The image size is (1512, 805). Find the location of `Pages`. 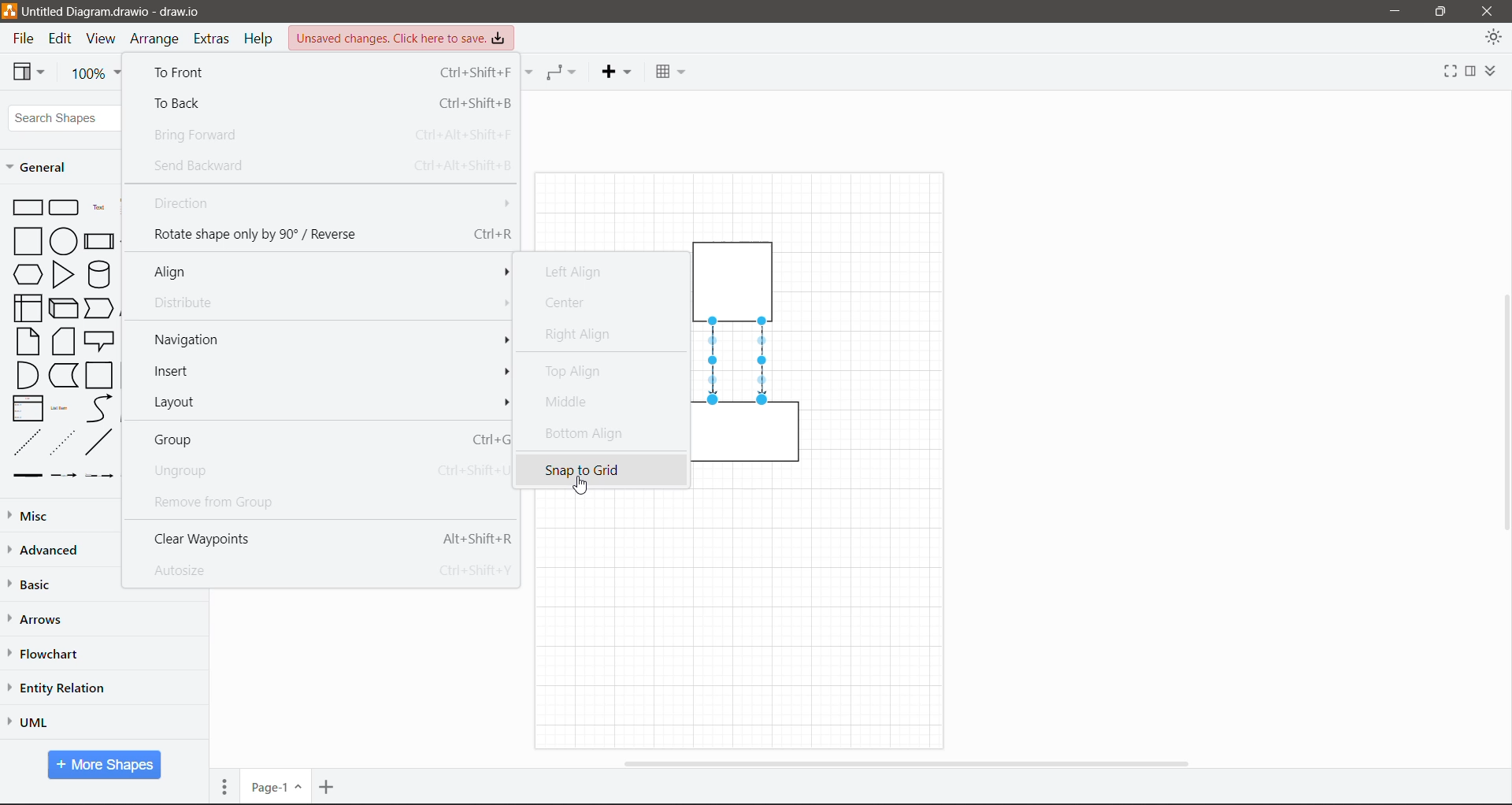

Pages is located at coordinates (224, 786).